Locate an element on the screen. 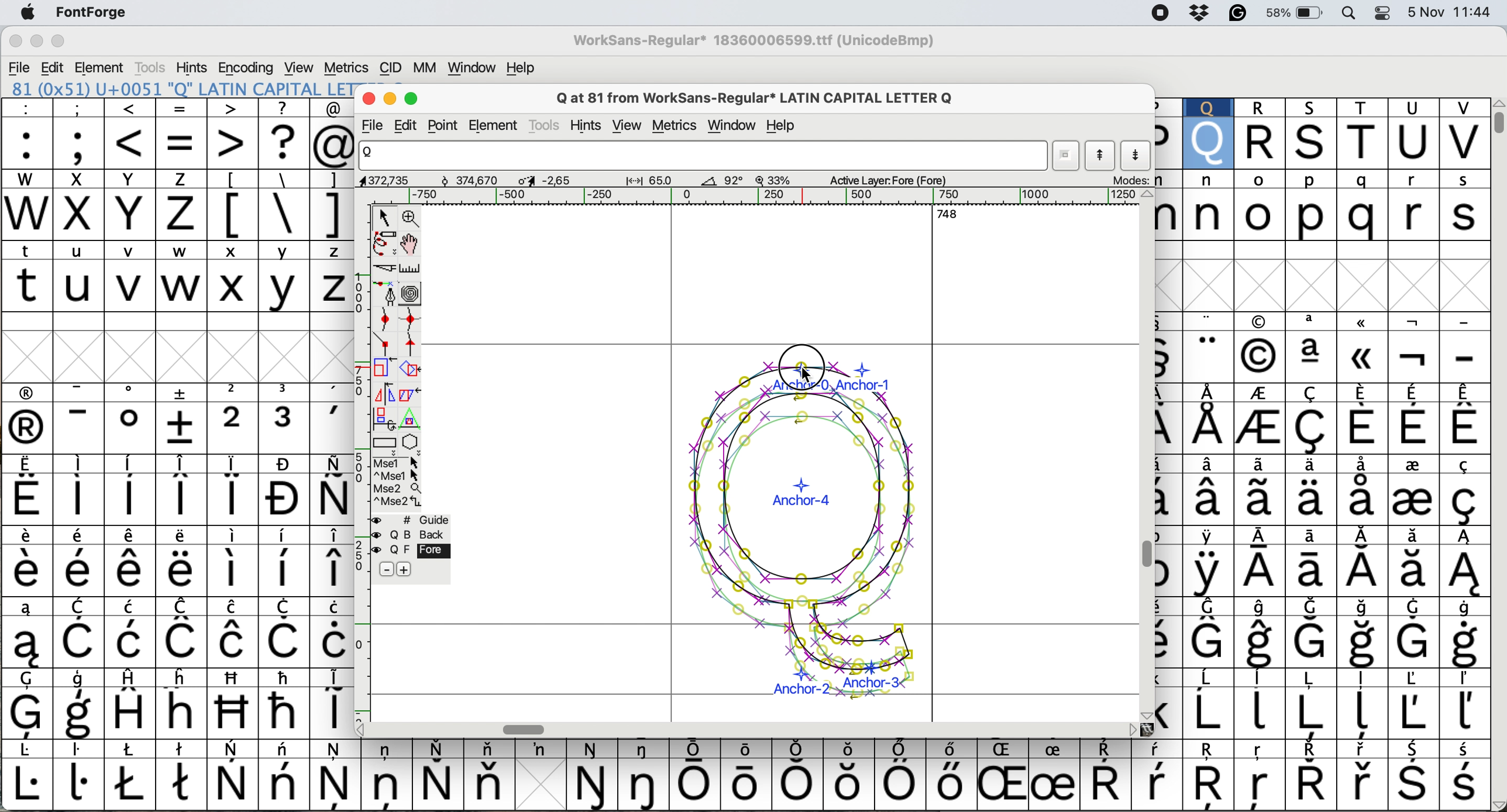 This screenshot has height=812, width=1507. special characters is located at coordinates (274, 180).